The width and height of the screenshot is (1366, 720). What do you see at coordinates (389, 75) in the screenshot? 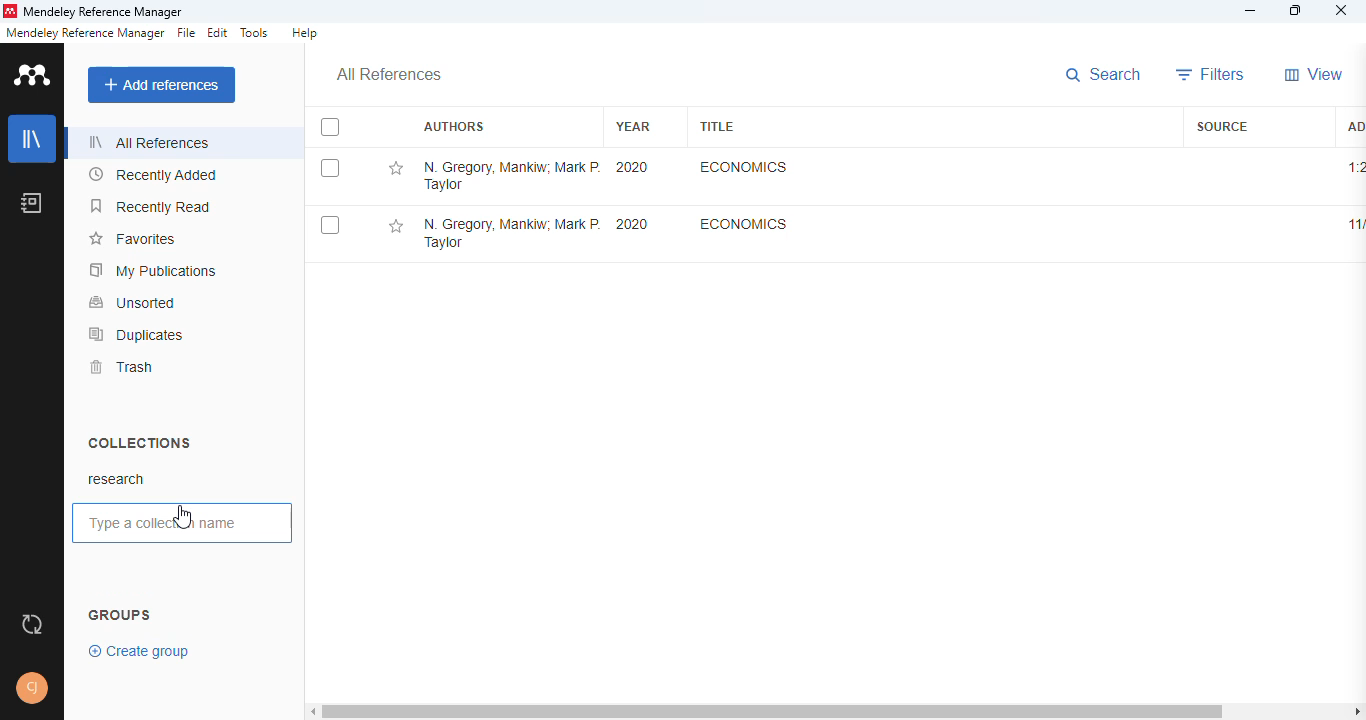
I see `all references` at bounding box center [389, 75].